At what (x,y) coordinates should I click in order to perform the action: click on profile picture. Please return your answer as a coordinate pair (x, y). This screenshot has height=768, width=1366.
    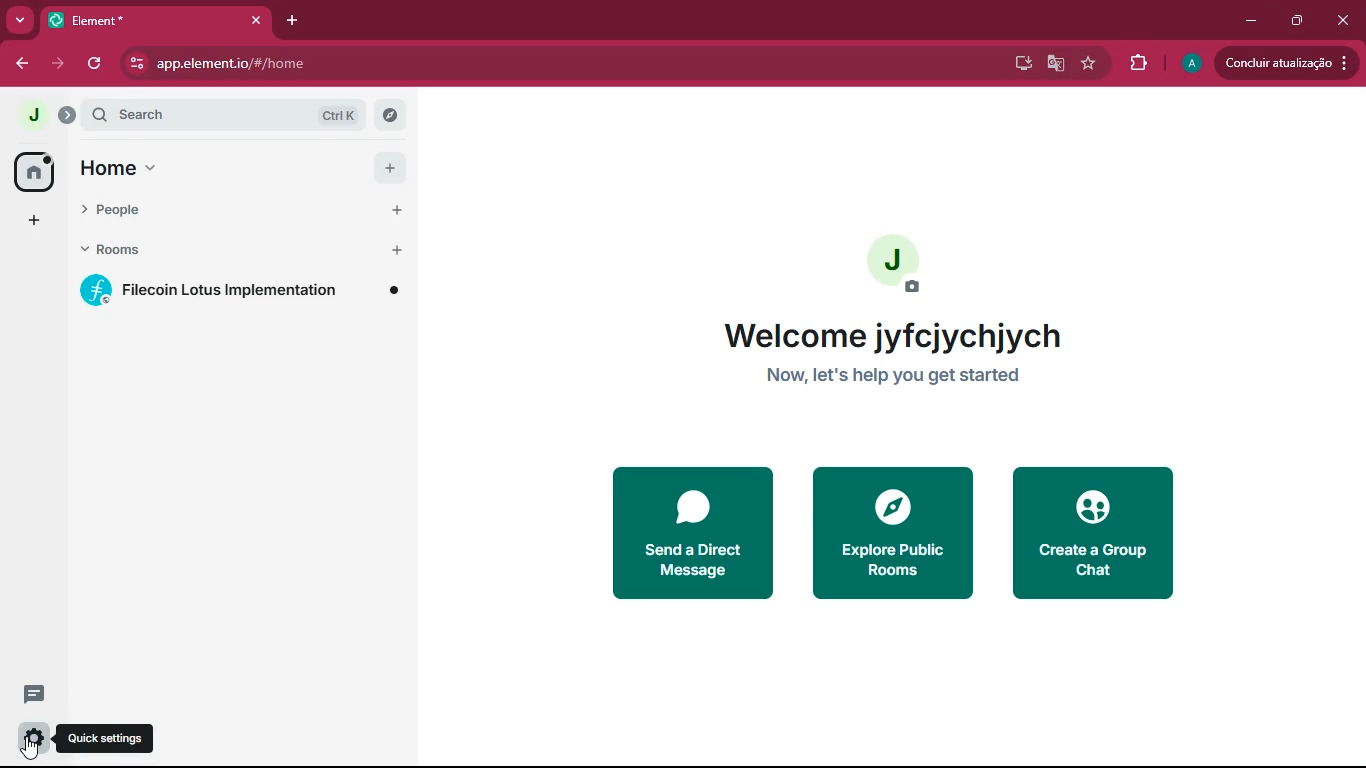
    Looking at the image, I should click on (26, 116).